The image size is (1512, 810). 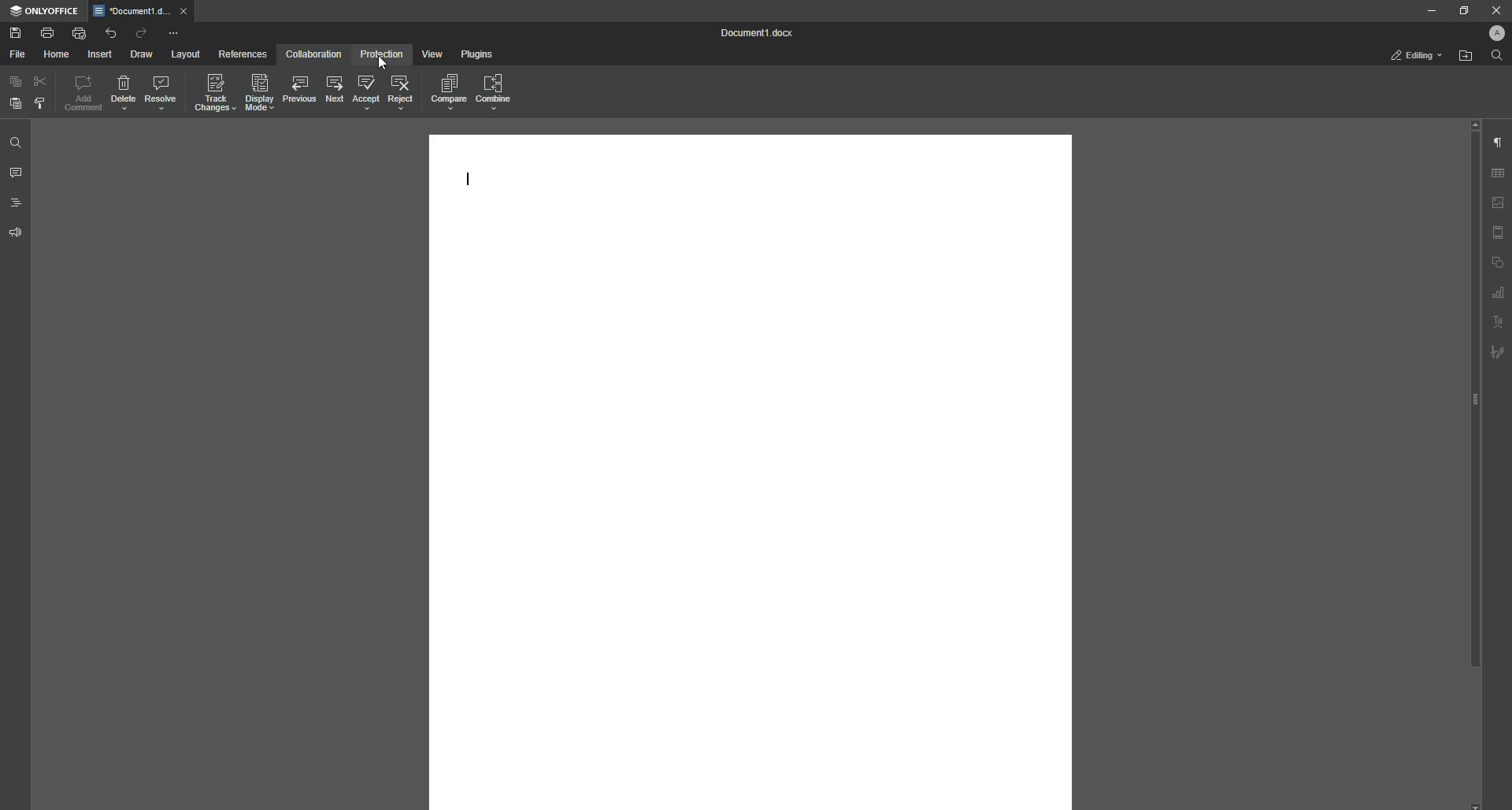 I want to click on Next, so click(x=333, y=94).